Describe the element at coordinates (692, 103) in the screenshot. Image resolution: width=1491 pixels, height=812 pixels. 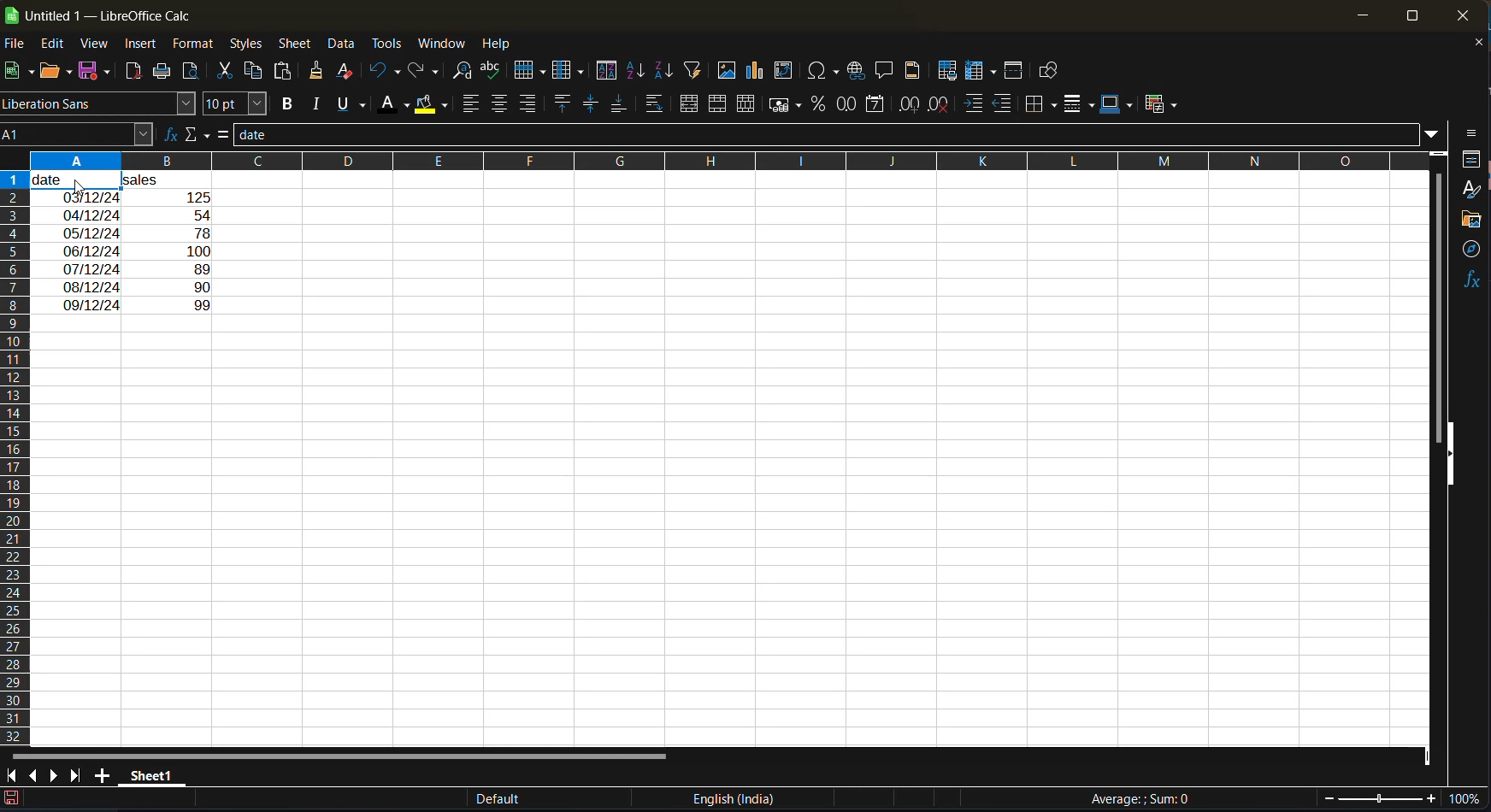
I see `merge and center` at that location.